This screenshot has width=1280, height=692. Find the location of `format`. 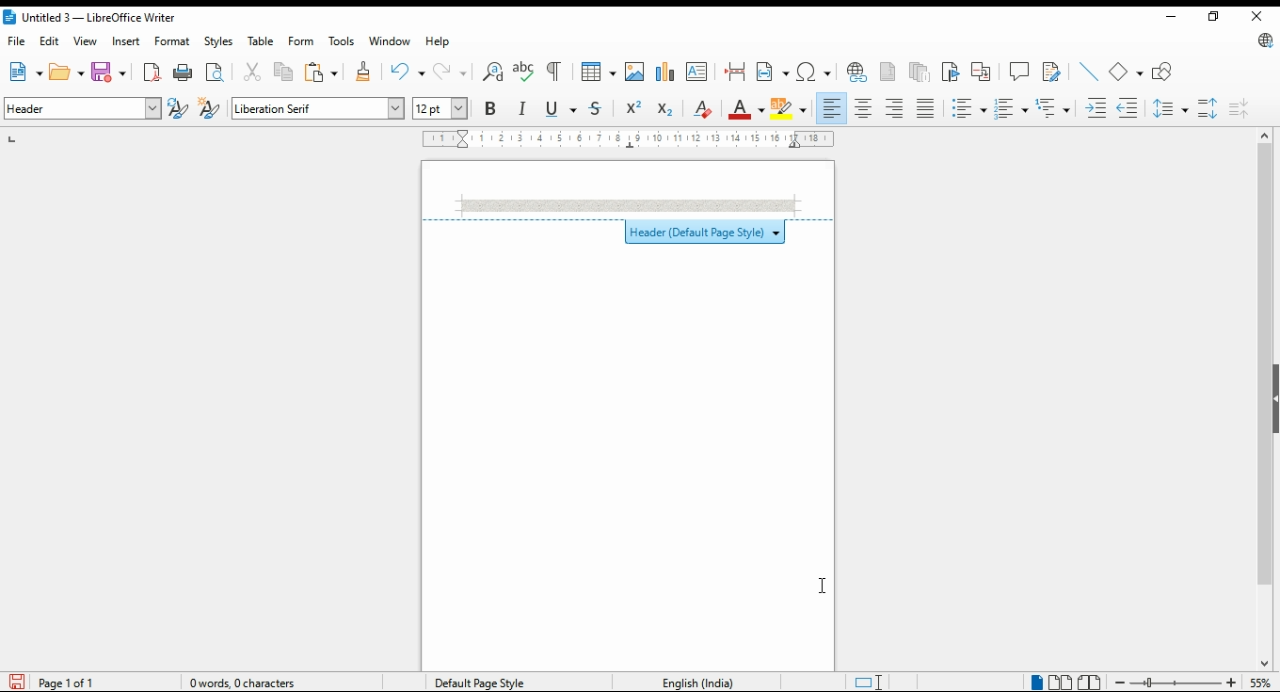

format is located at coordinates (174, 41).